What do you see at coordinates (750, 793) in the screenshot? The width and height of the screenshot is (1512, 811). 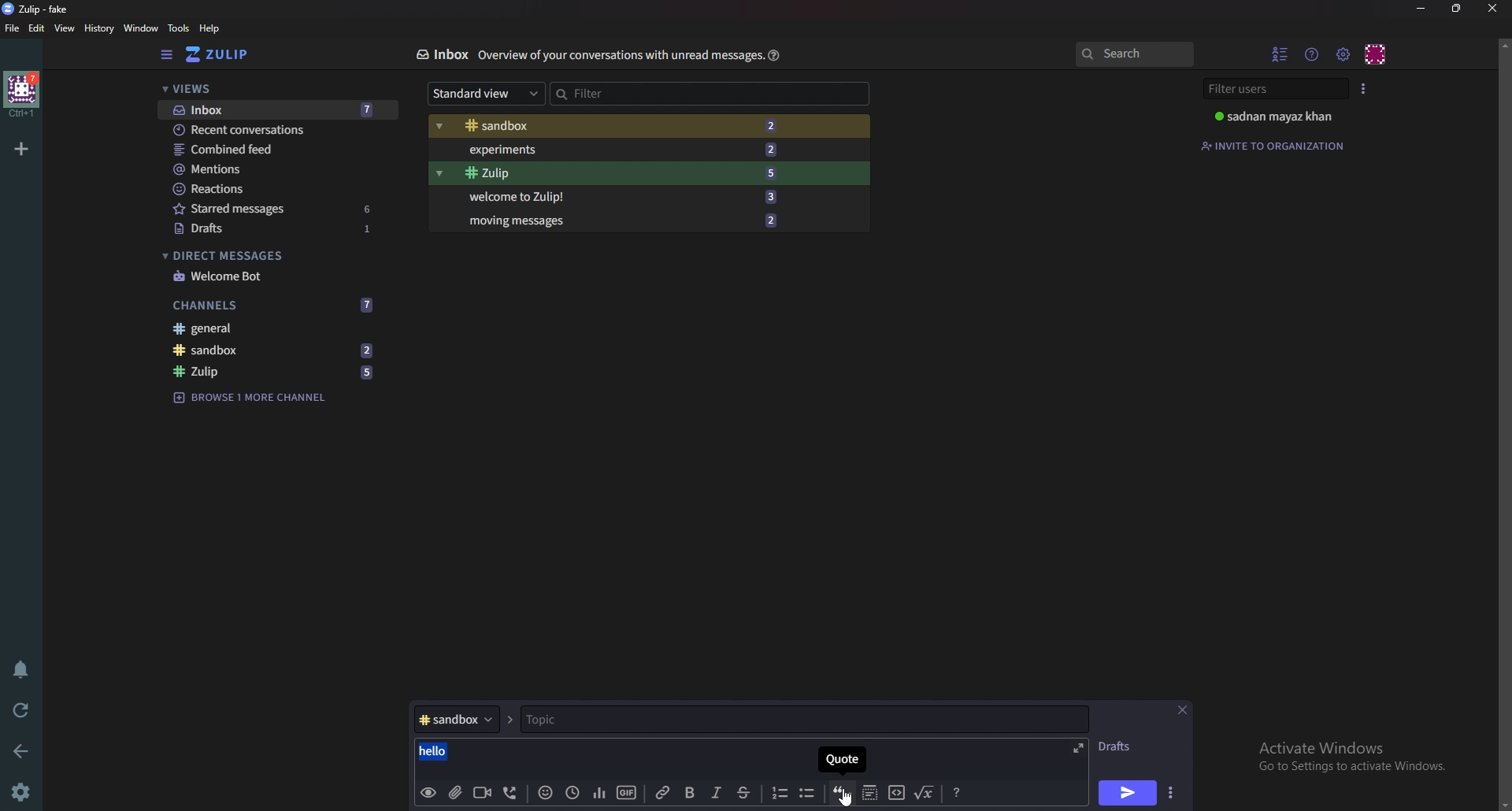 I see `Strike through` at bounding box center [750, 793].